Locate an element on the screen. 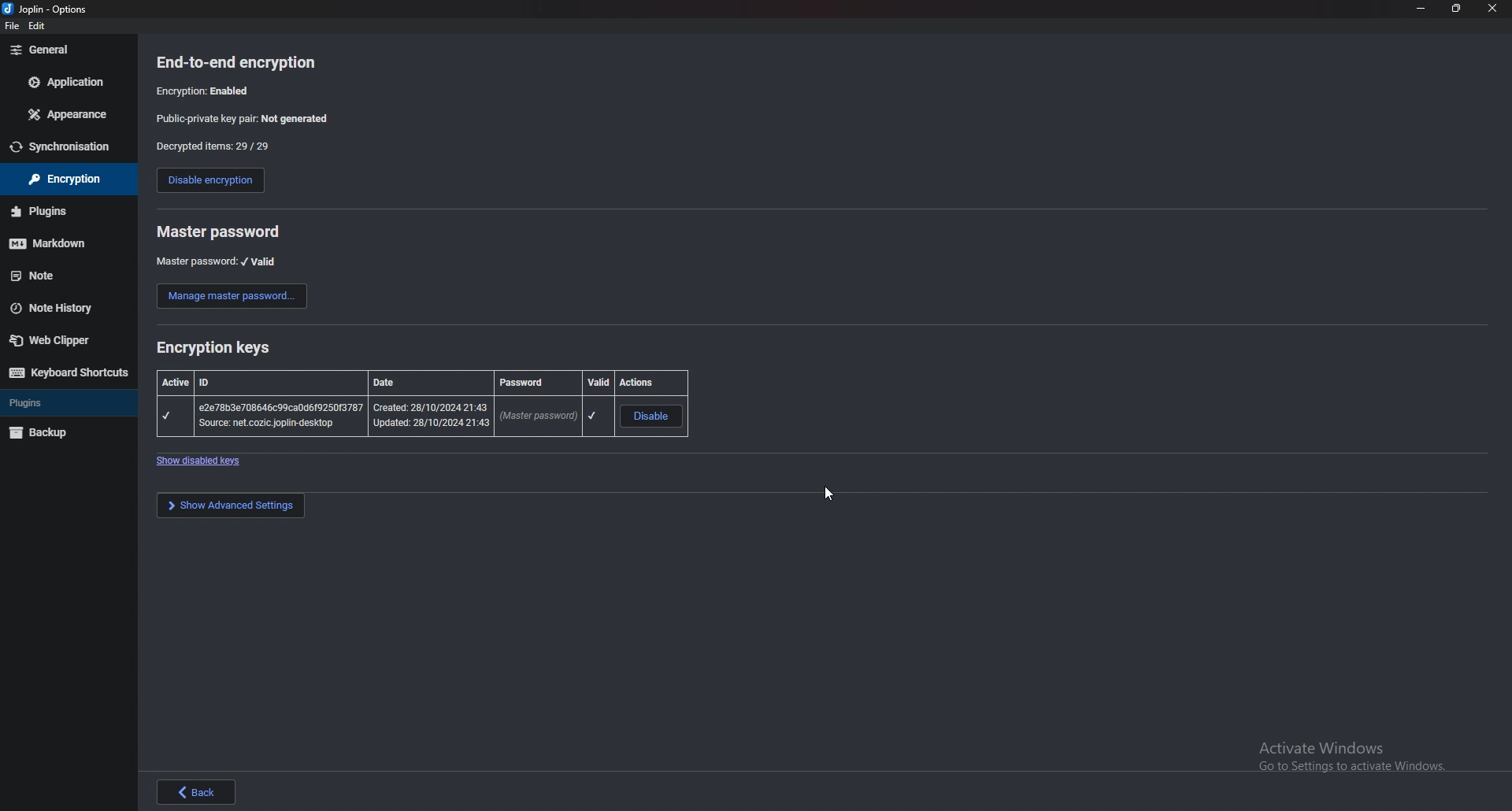 The image size is (1512, 811). private public key pair not generated is located at coordinates (245, 120).